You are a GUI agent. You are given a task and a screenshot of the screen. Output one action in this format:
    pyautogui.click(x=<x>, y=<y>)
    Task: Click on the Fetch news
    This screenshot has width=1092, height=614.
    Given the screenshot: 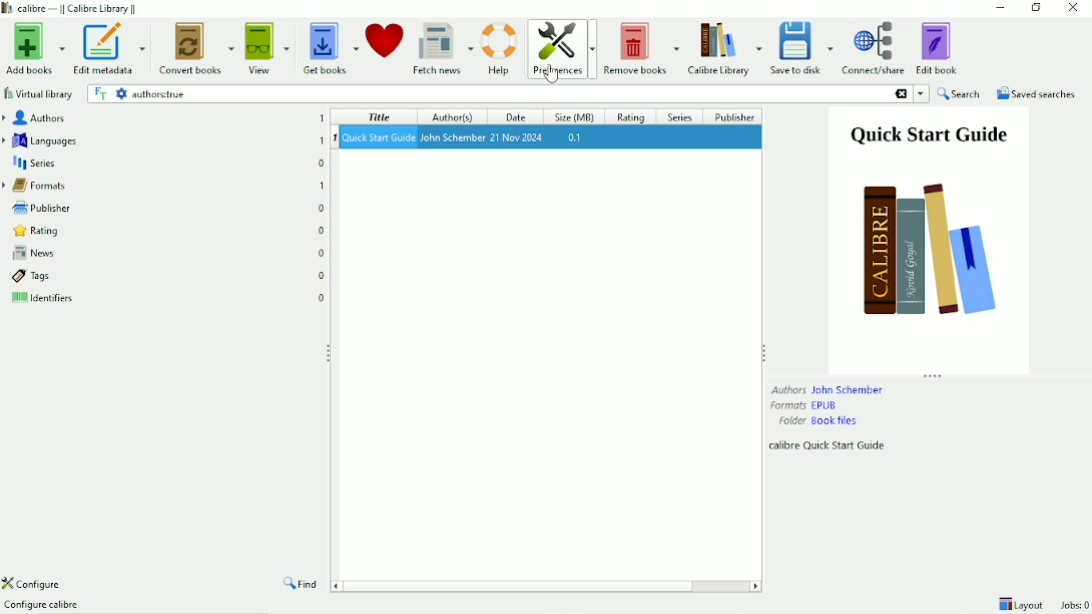 What is the action you would take?
    pyautogui.click(x=443, y=47)
    